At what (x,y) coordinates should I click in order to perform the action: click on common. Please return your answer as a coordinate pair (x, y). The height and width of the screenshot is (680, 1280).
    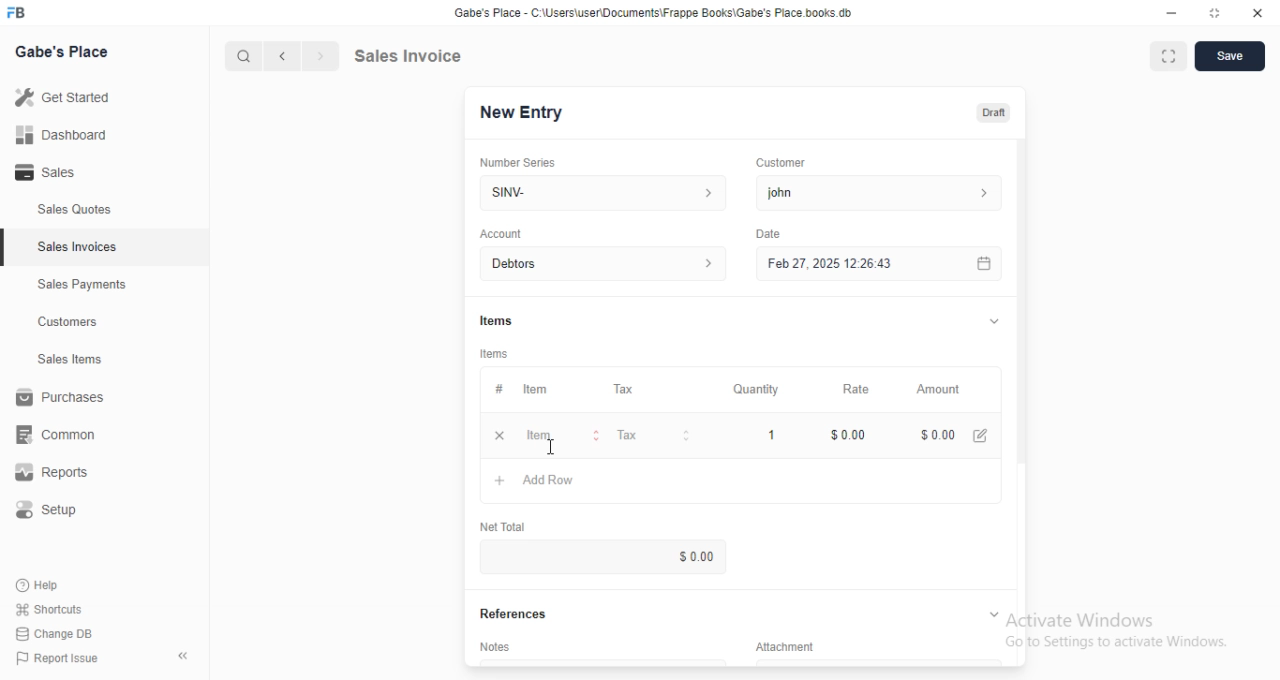
    Looking at the image, I should click on (57, 436).